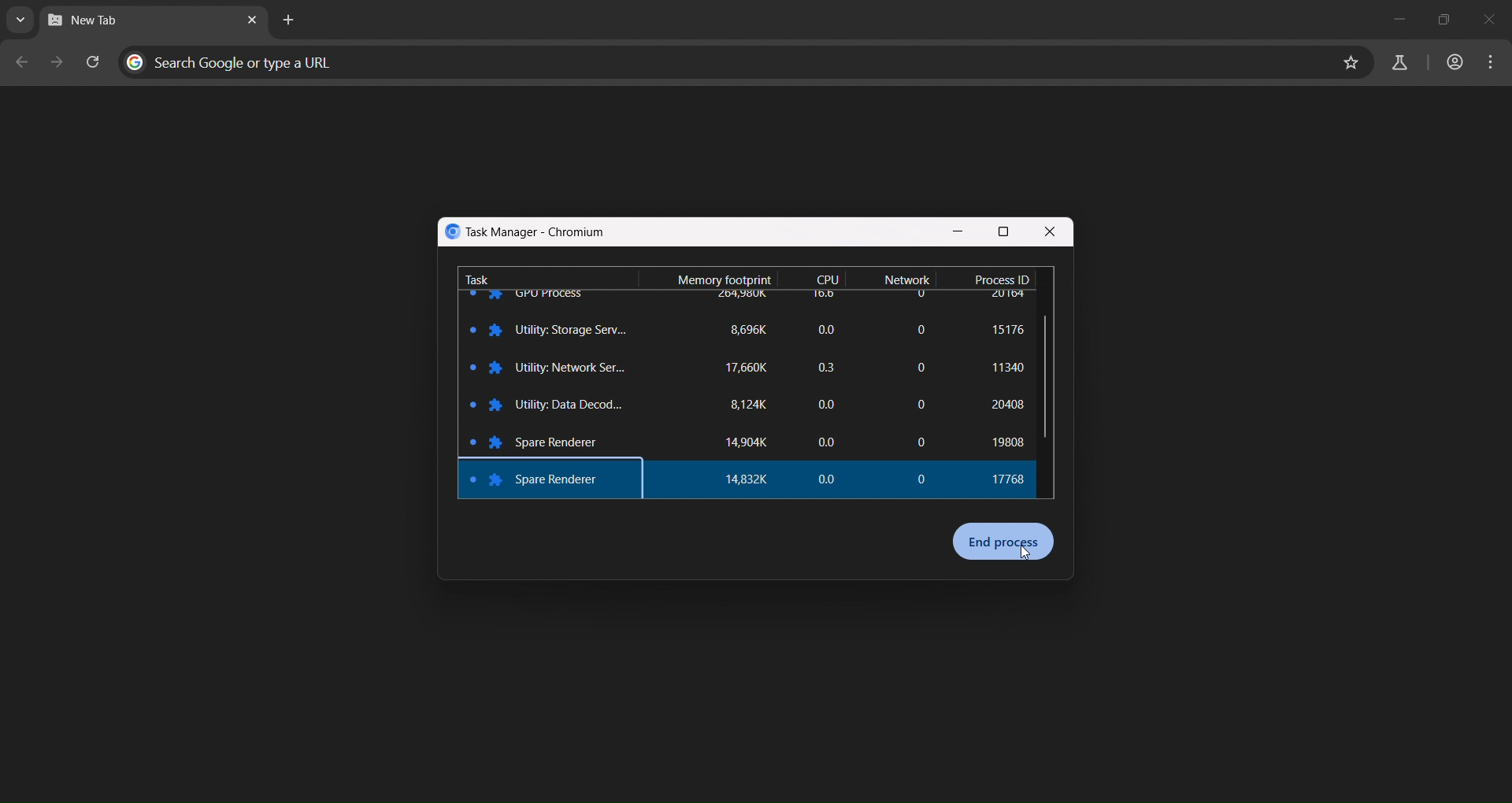  What do you see at coordinates (924, 474) in the screenshot?
I see `0` at bounding box center [924, 474].